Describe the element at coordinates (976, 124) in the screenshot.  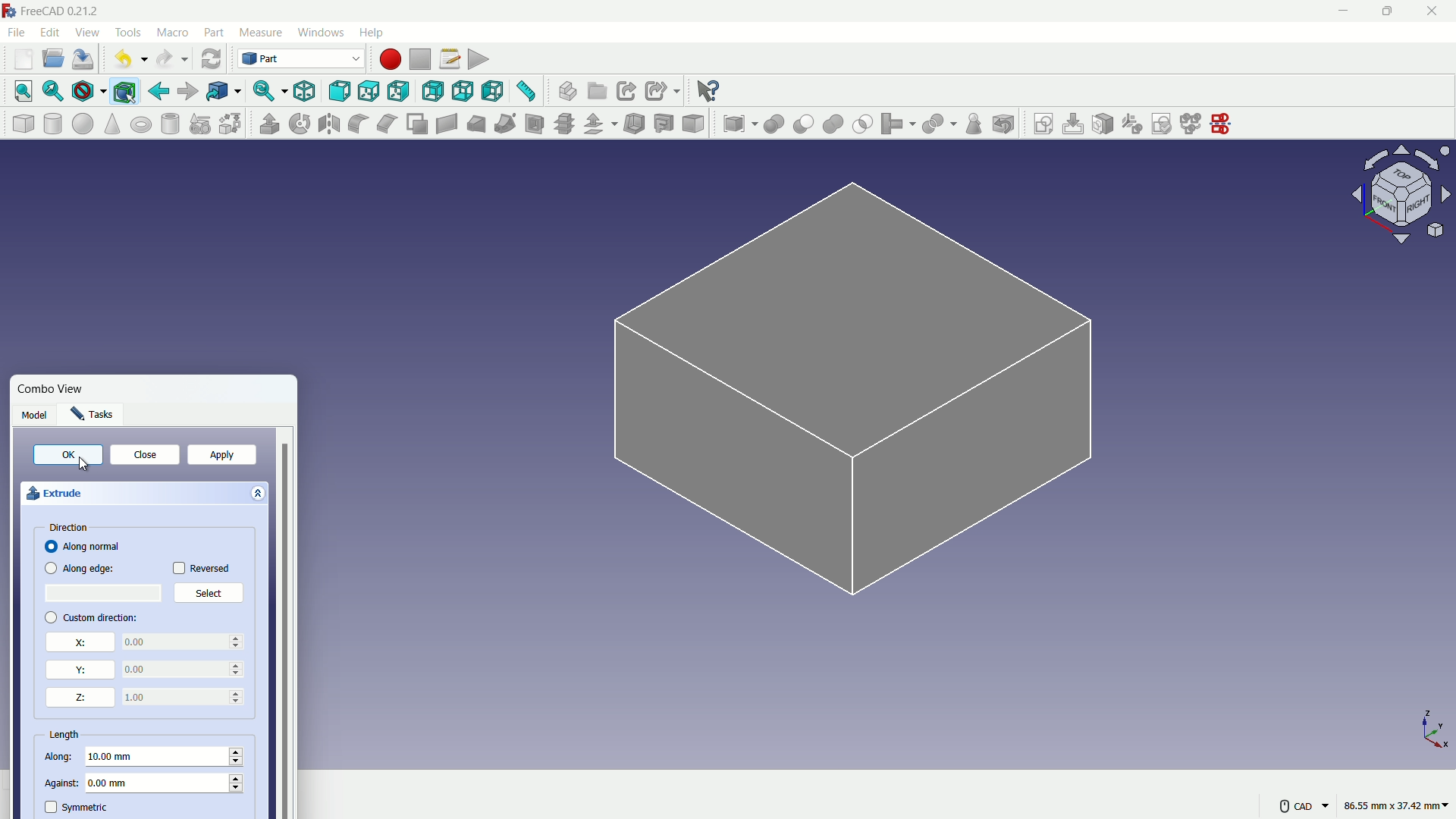
I see `check geometry` at that location.